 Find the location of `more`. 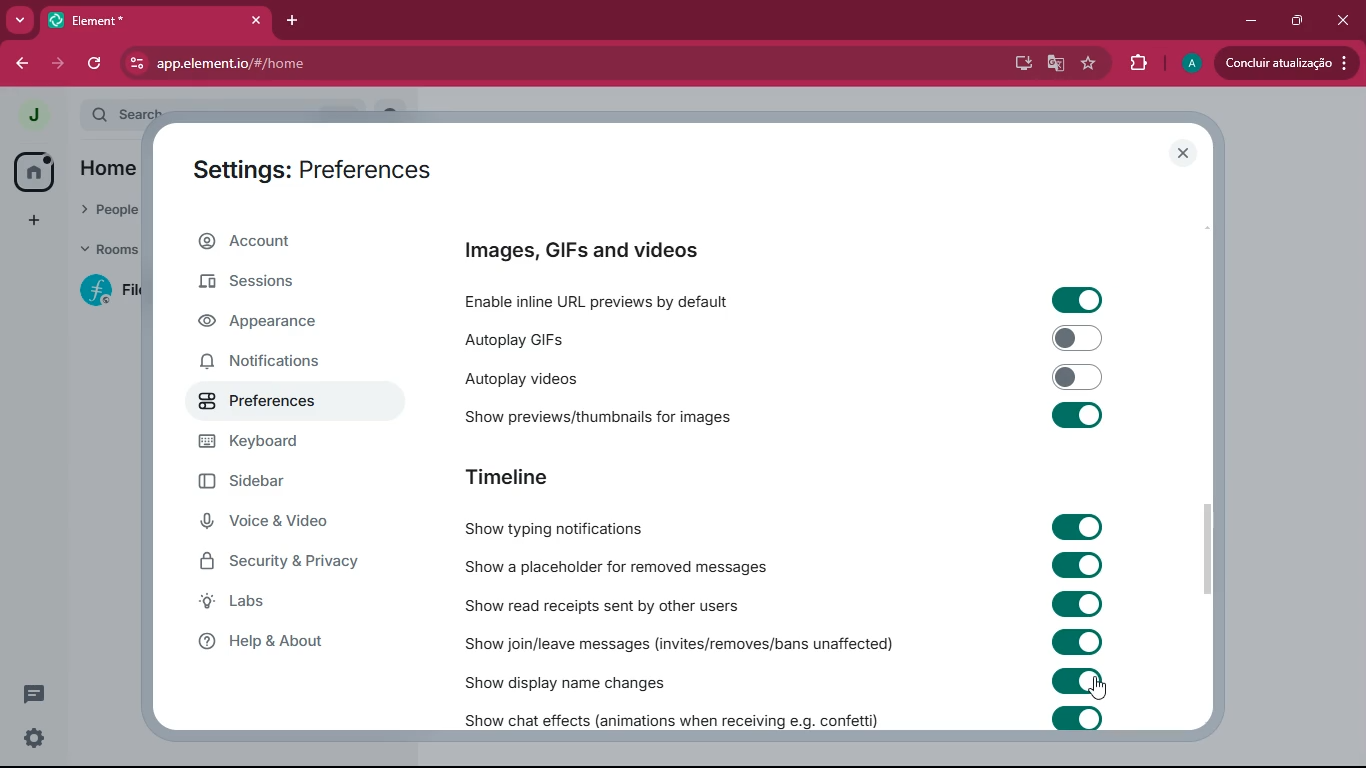

more is located at coordinates (20, 21).